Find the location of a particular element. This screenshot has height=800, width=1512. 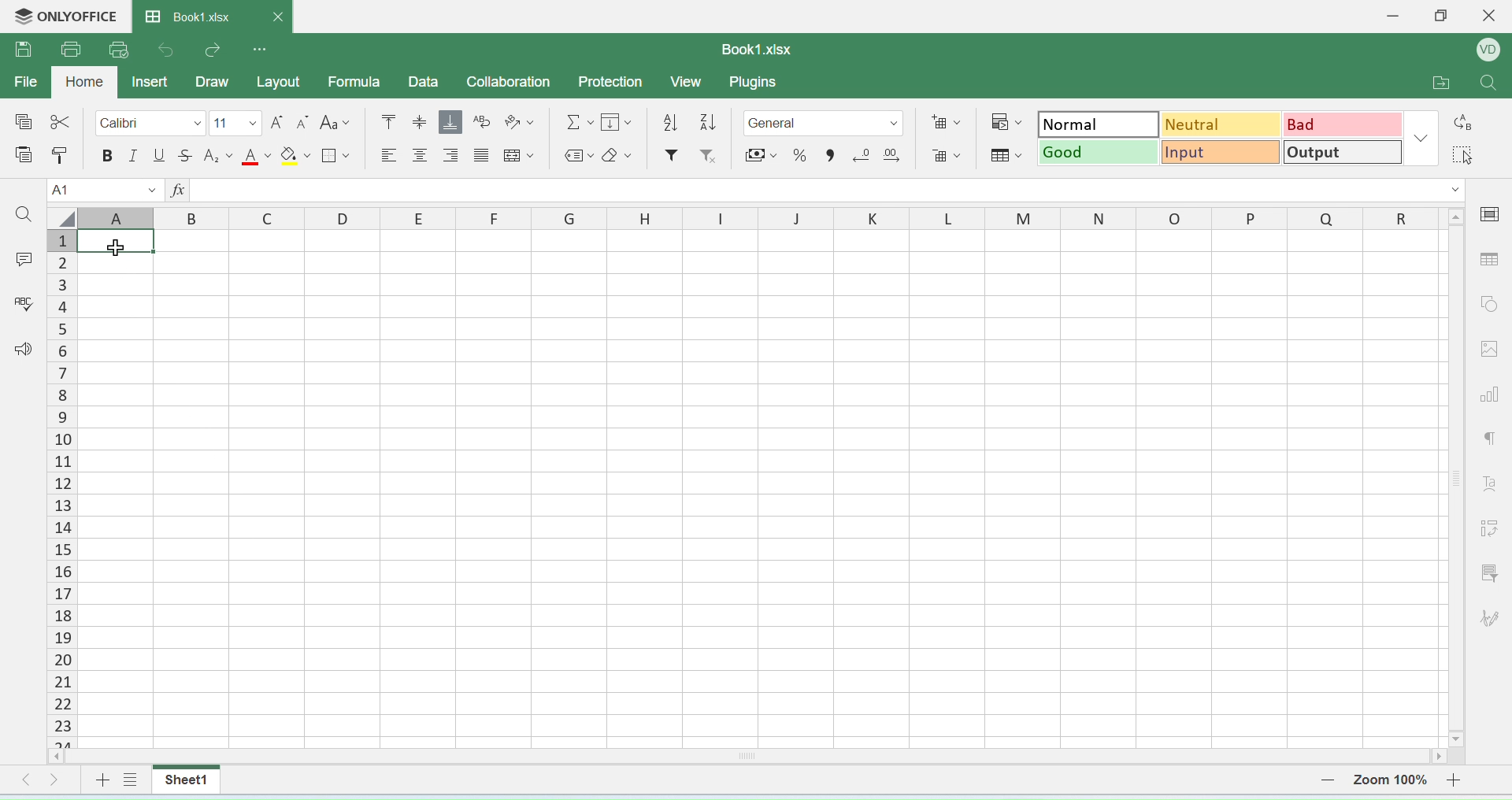

plugins is located at coordinates (762, 82).